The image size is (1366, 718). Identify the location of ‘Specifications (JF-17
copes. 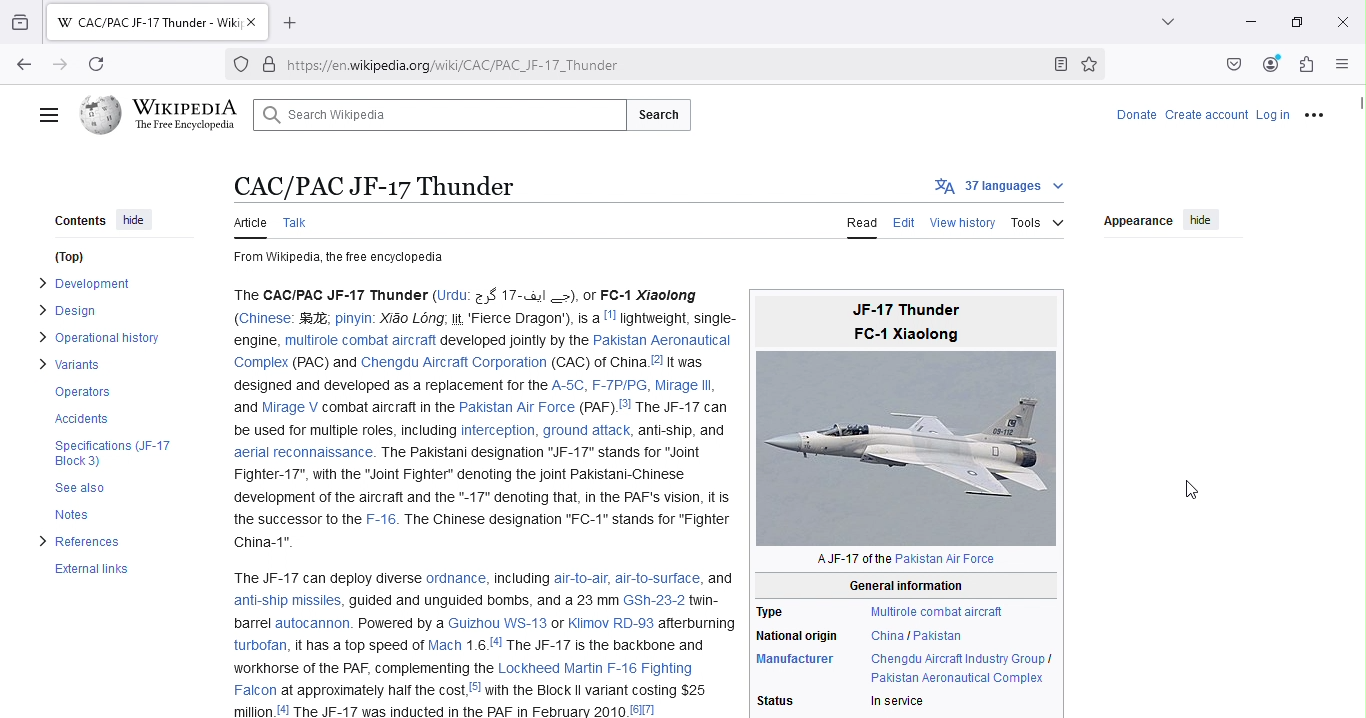
(109, 451).